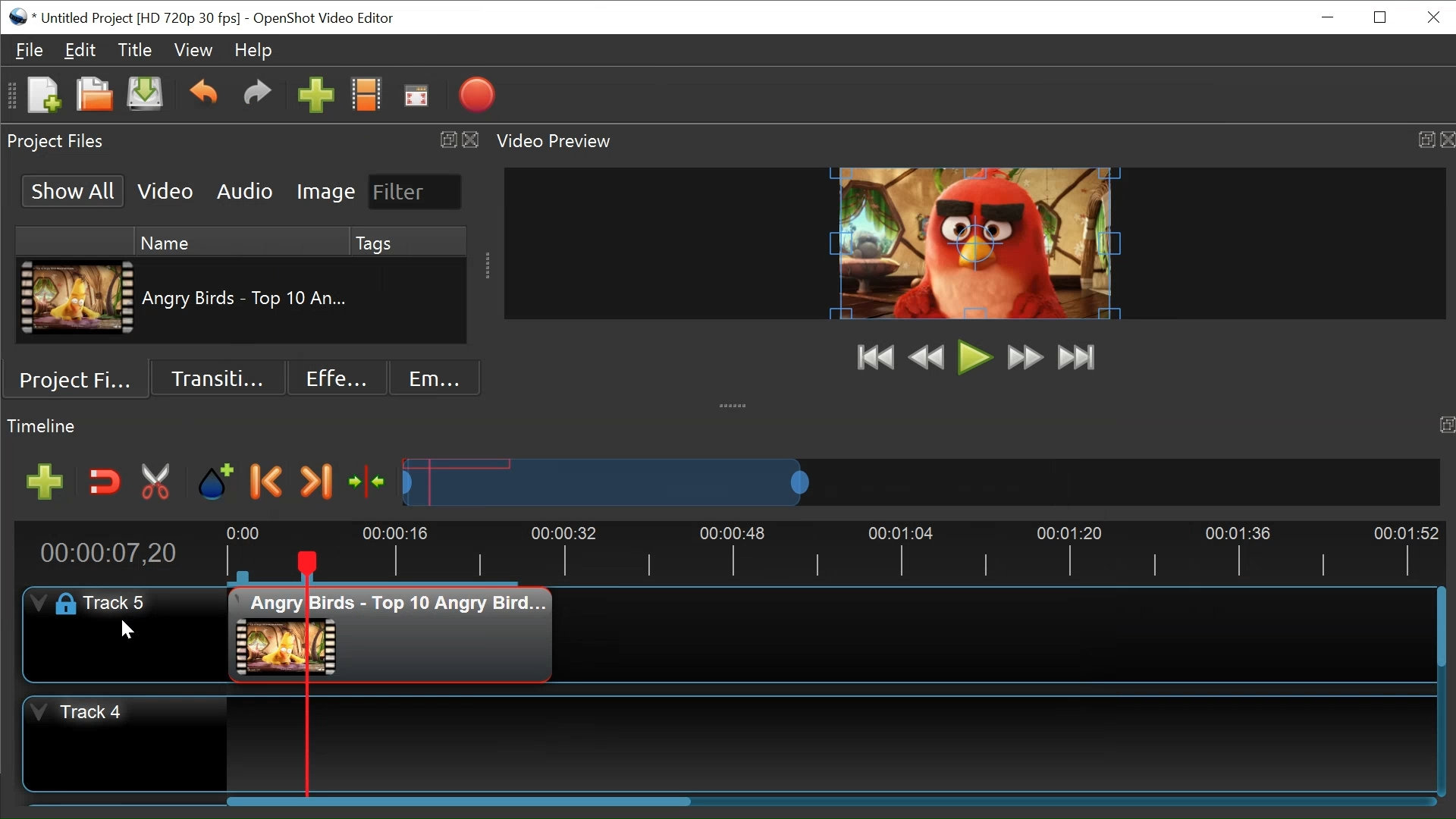 Image resolution: width=1456 pixels, height=819 pixels. I want to click on Timeline, so click(833, 551).